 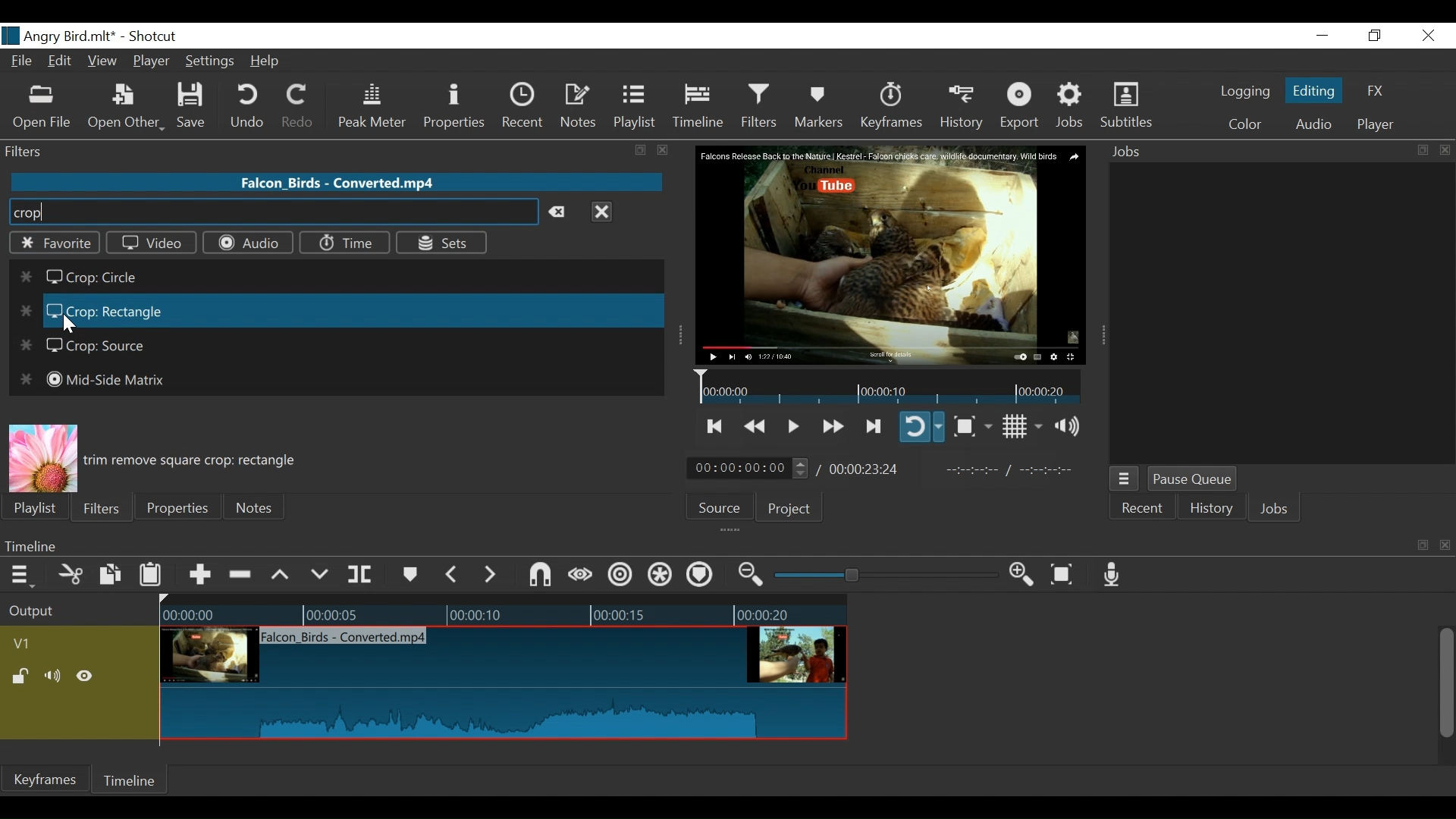 What do you see at coordinates (716, 426) in the screenshot?
I see `Skip to the previous point` at bounding box center [716, 426].